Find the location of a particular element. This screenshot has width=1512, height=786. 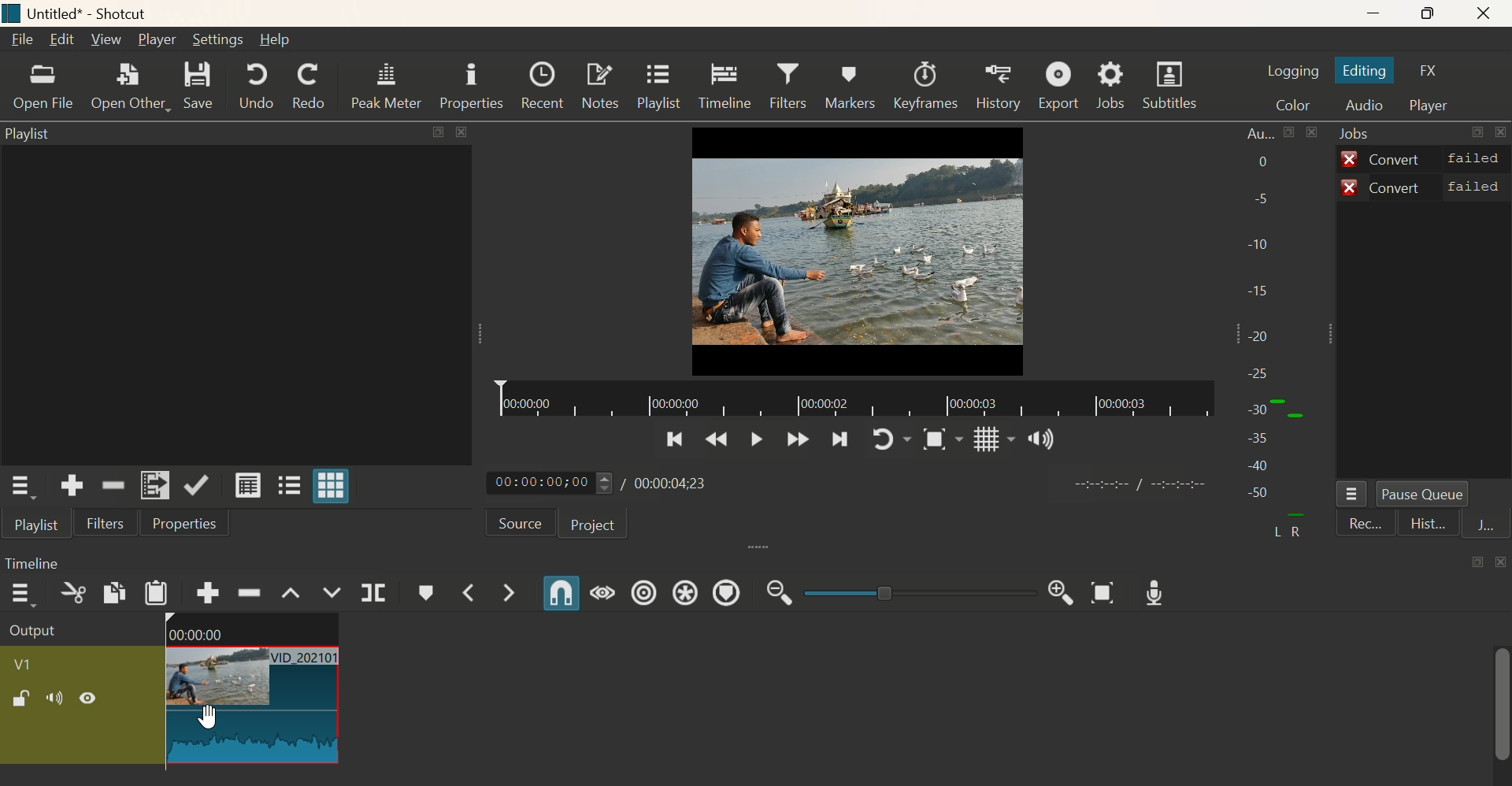

 is located at coordinates (780, 591).